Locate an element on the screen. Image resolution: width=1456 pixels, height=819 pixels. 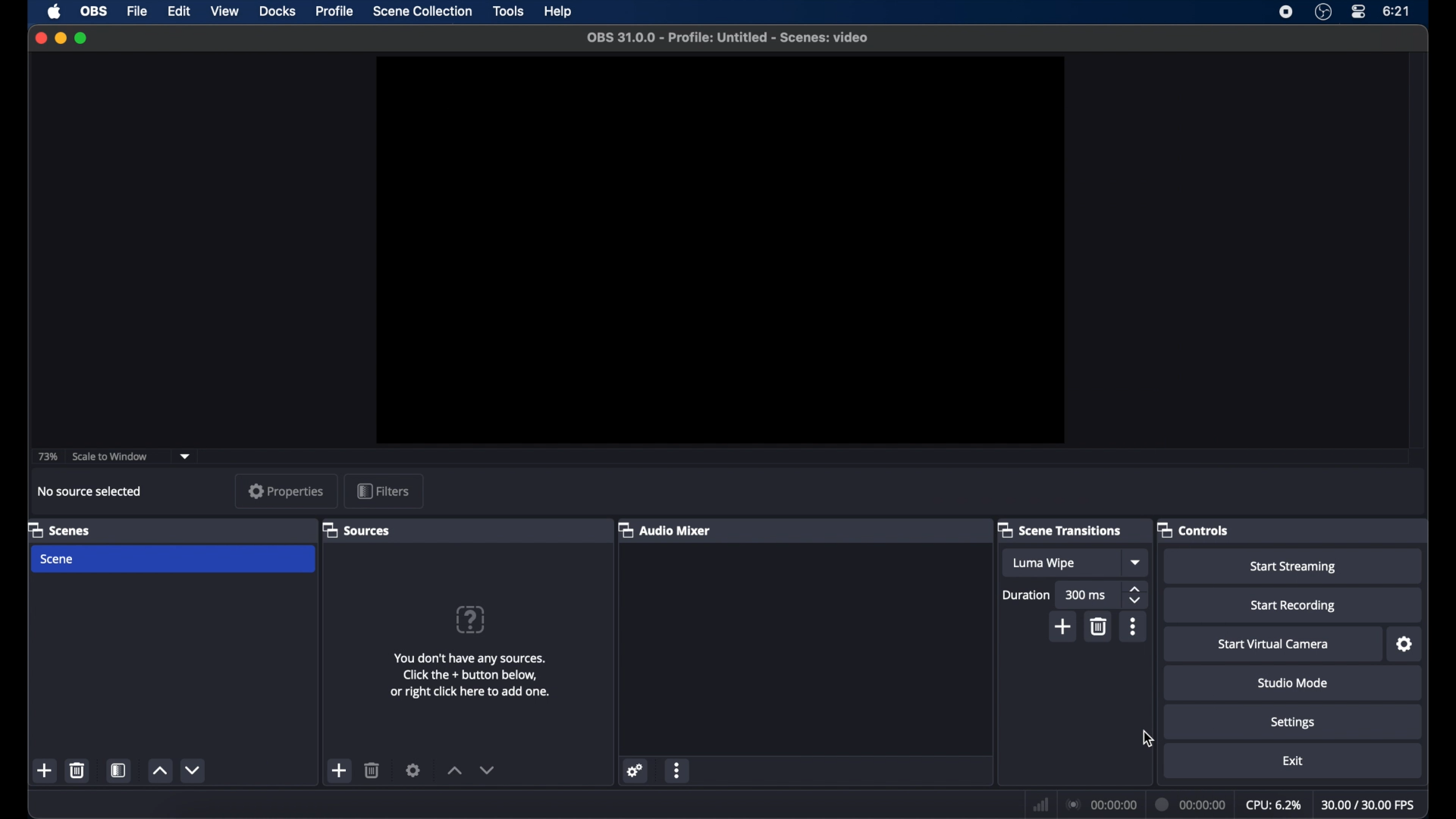
control center is located at coordinates (1357, 12).